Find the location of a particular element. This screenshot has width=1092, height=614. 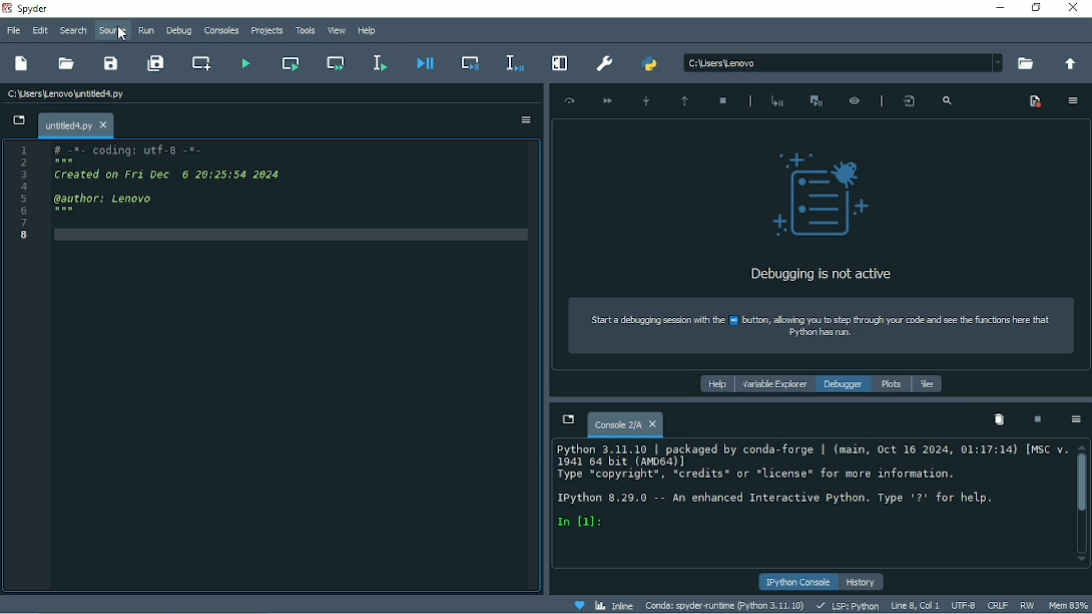

Consoles is located at coordinates (219, 31).